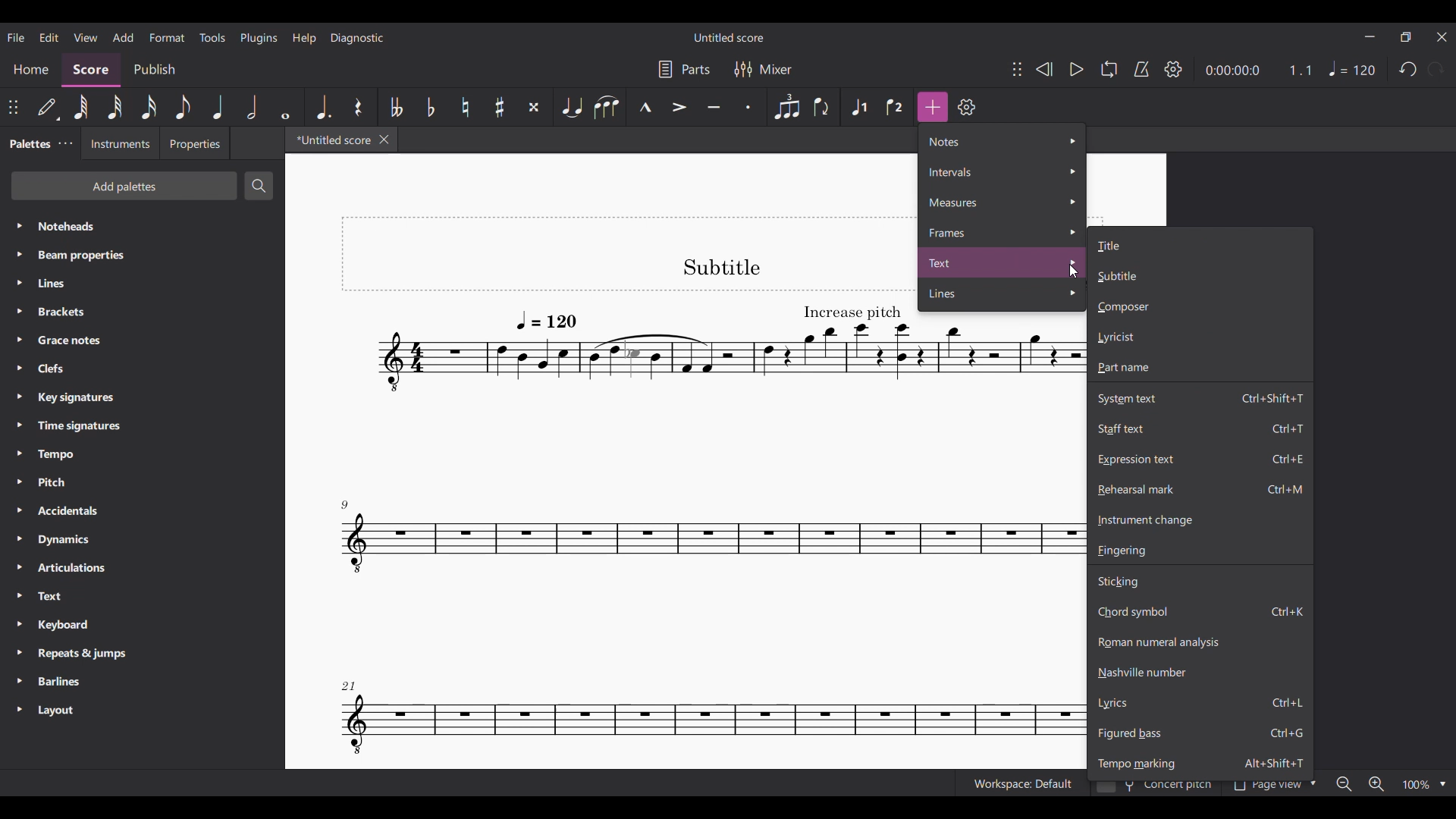 The height and width of the screenshot is (819, 1456). What do you see at coordinates (142, 454) in the screenshot?
I see `Tempo` at bounding box center [142, 454].